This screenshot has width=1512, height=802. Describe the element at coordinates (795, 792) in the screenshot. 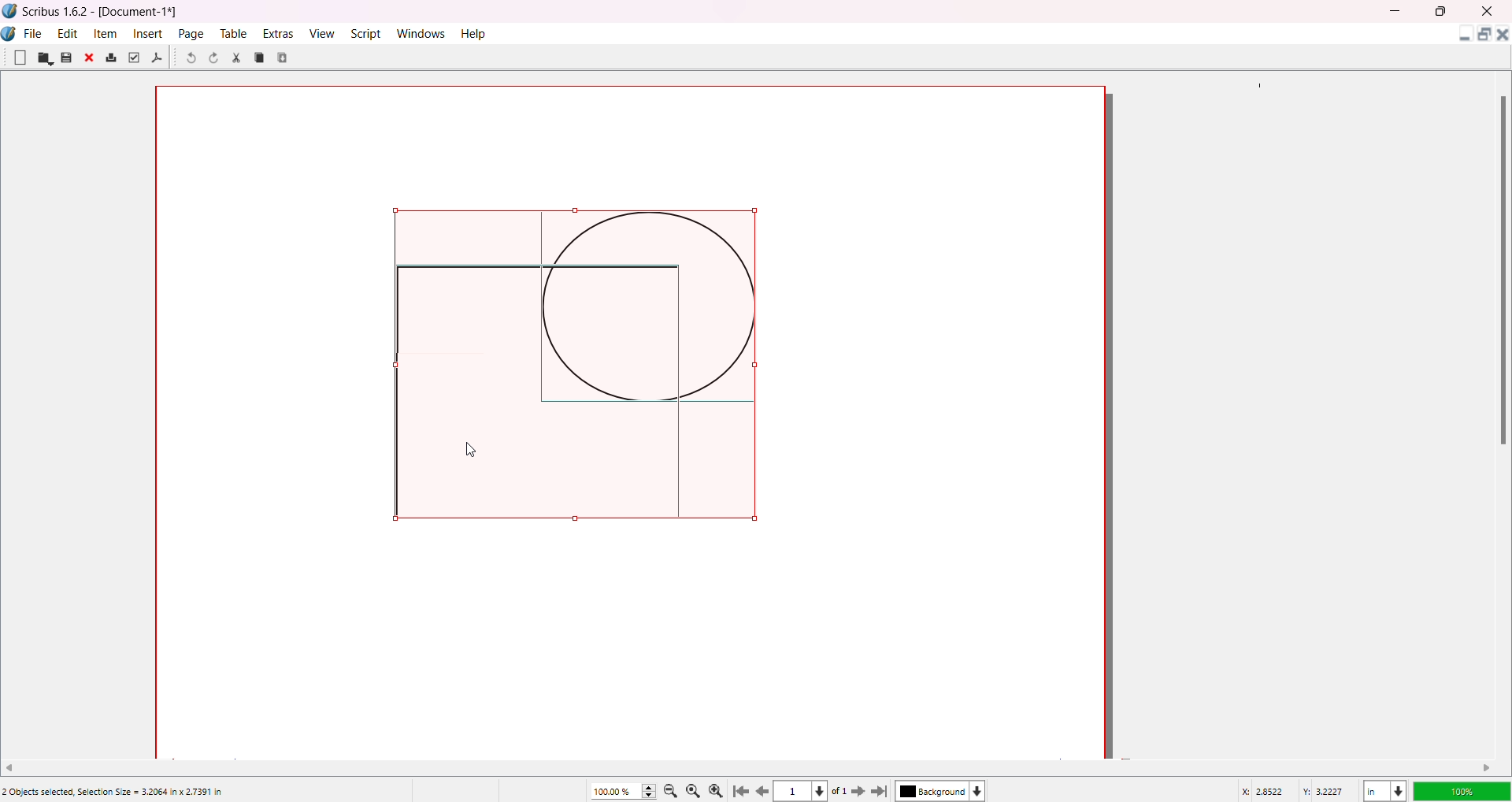

I see `Current page` at that location.